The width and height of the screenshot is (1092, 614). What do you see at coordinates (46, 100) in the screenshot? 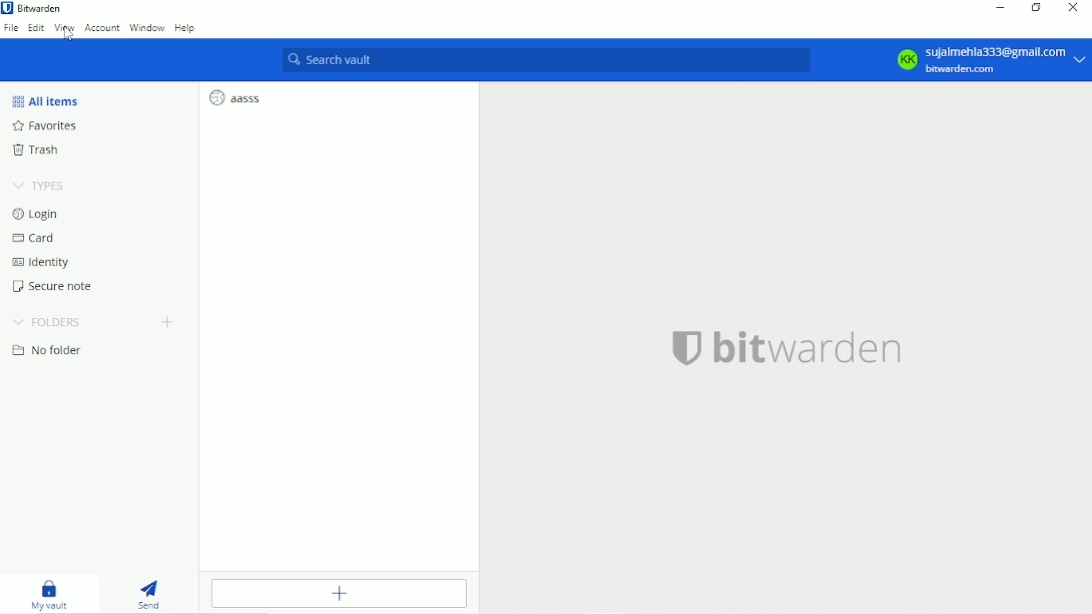
I see `All item` at bounding box center [46, 100].